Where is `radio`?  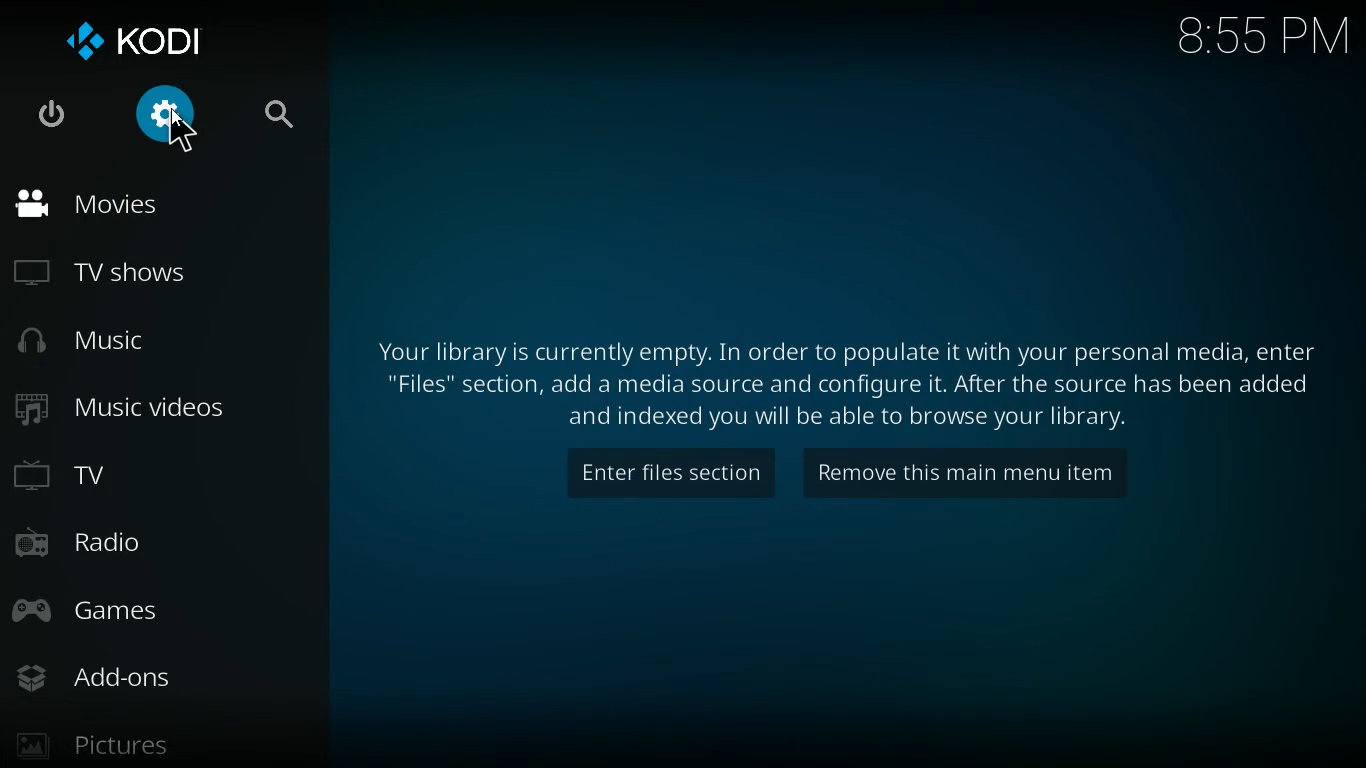
radio is located at coordinates (102, 539).